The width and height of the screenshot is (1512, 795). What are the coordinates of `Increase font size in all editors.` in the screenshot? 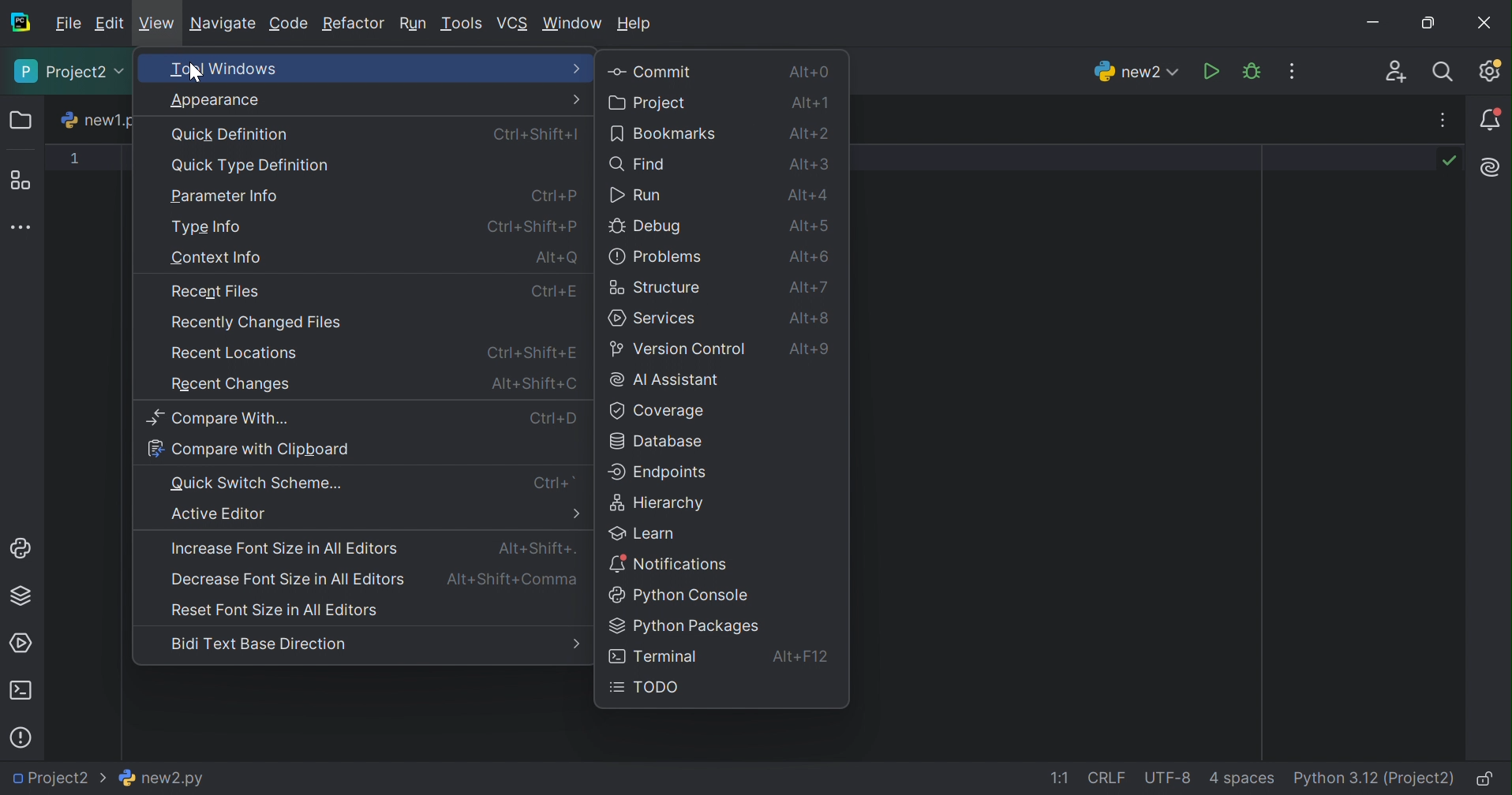 It's located at (285, 547).